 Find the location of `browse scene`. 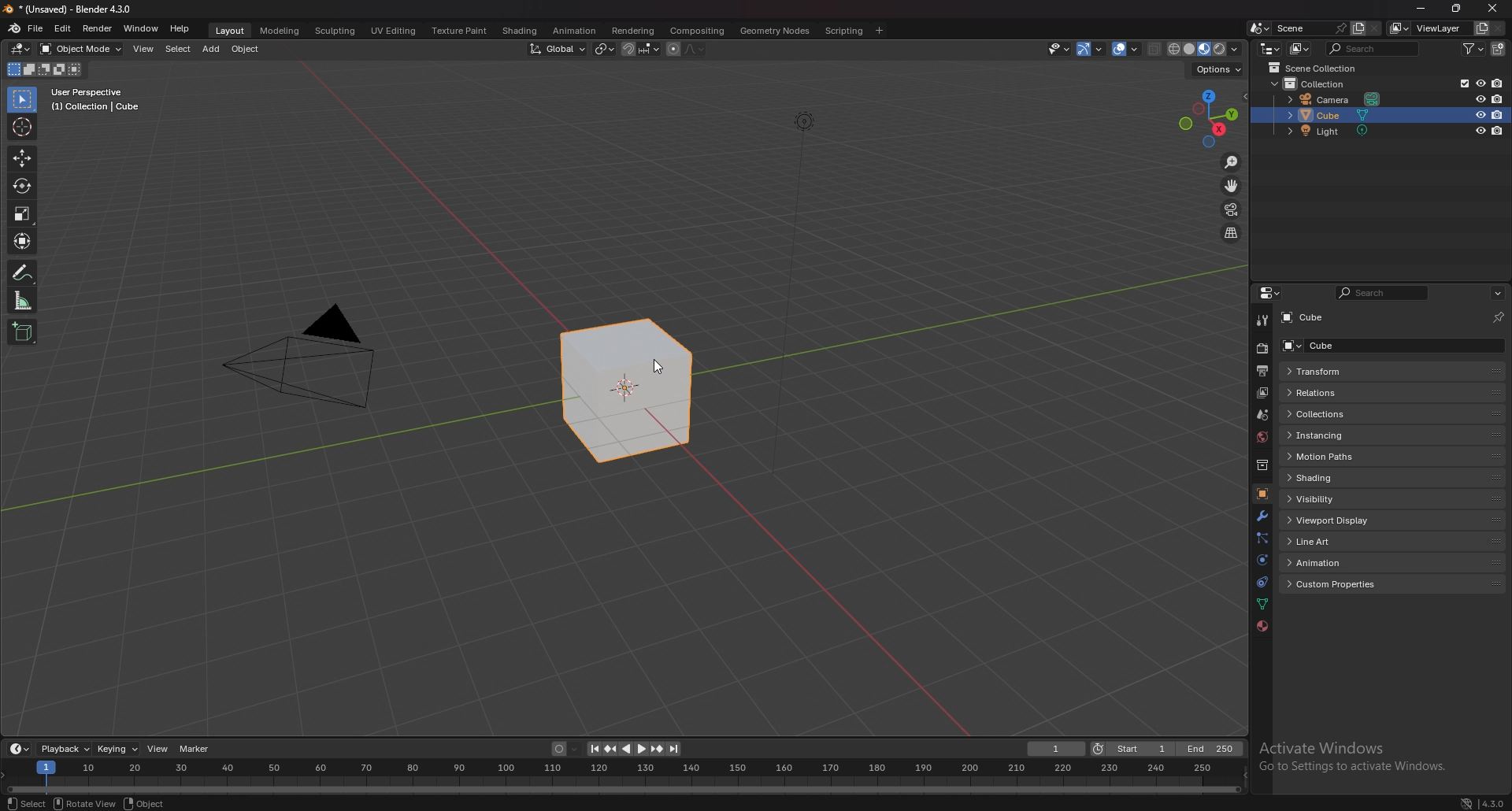

browse scene is located at coordinates (1260, 28).